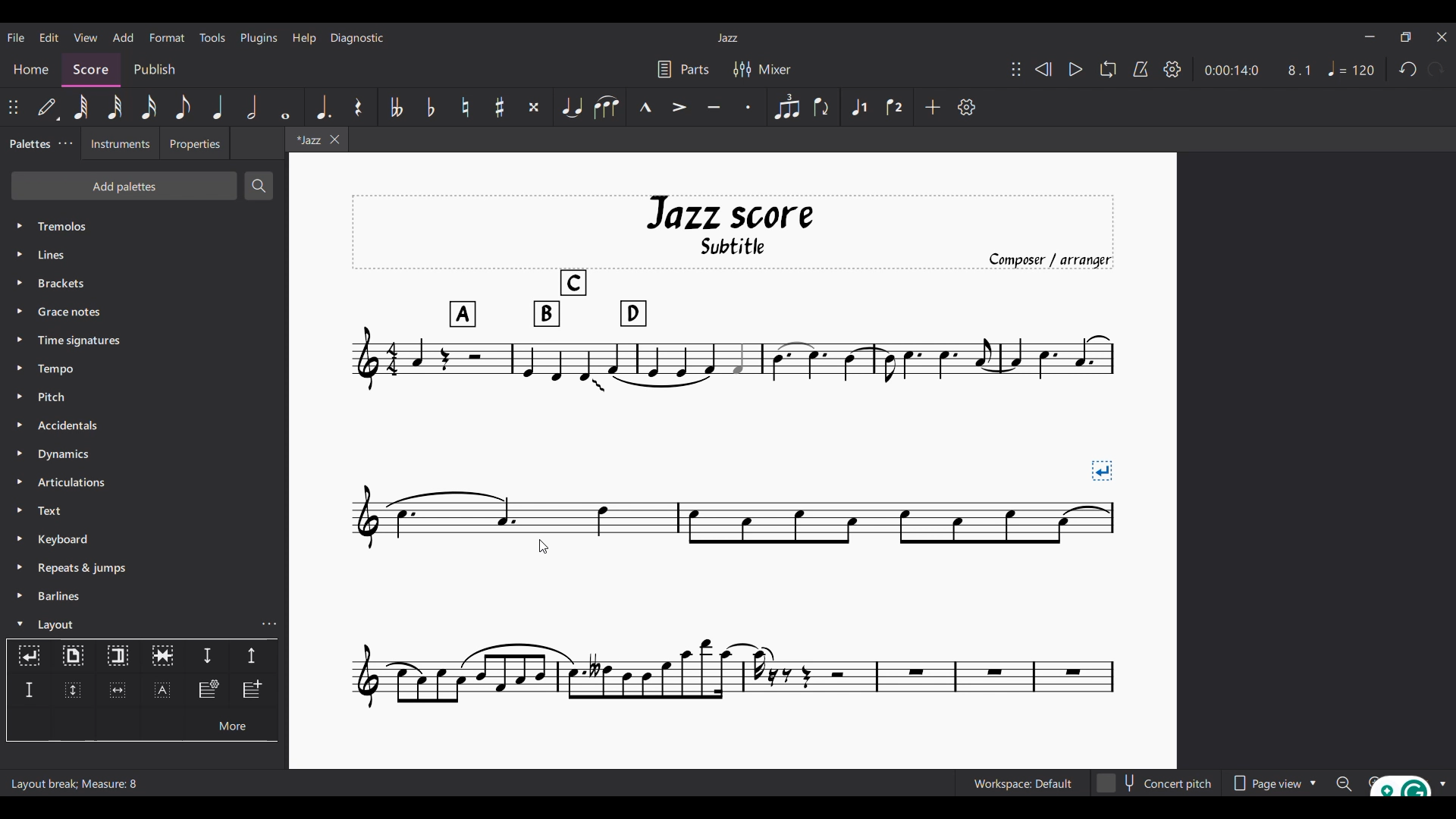 The image size is (1456, 819). I want to click on Loop playback, so click(1109, 69).